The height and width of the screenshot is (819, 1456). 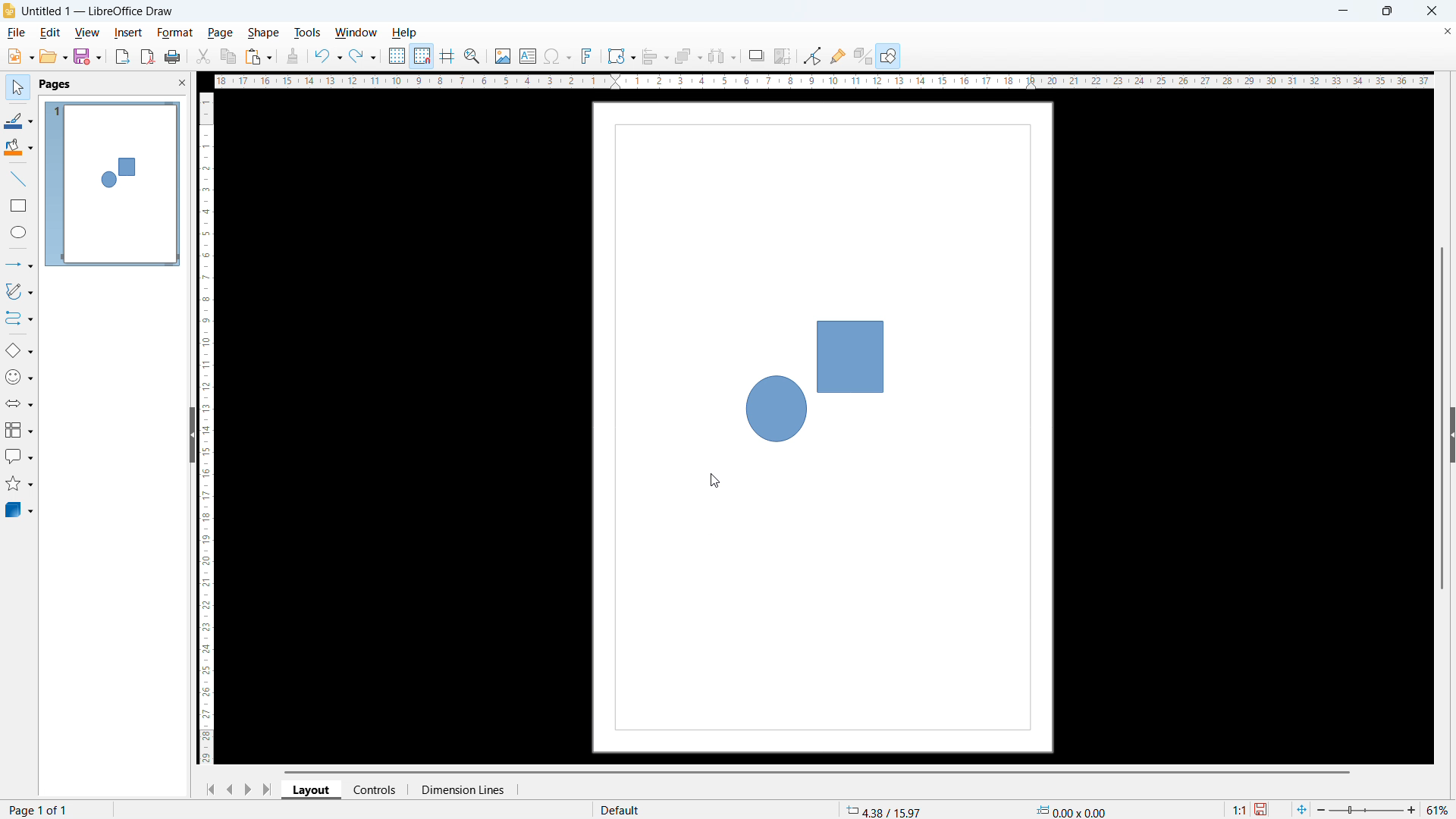 What do you see at coordinates (20, 121) in the screenshot?
I see `line color` at bounding box center [20, 121].